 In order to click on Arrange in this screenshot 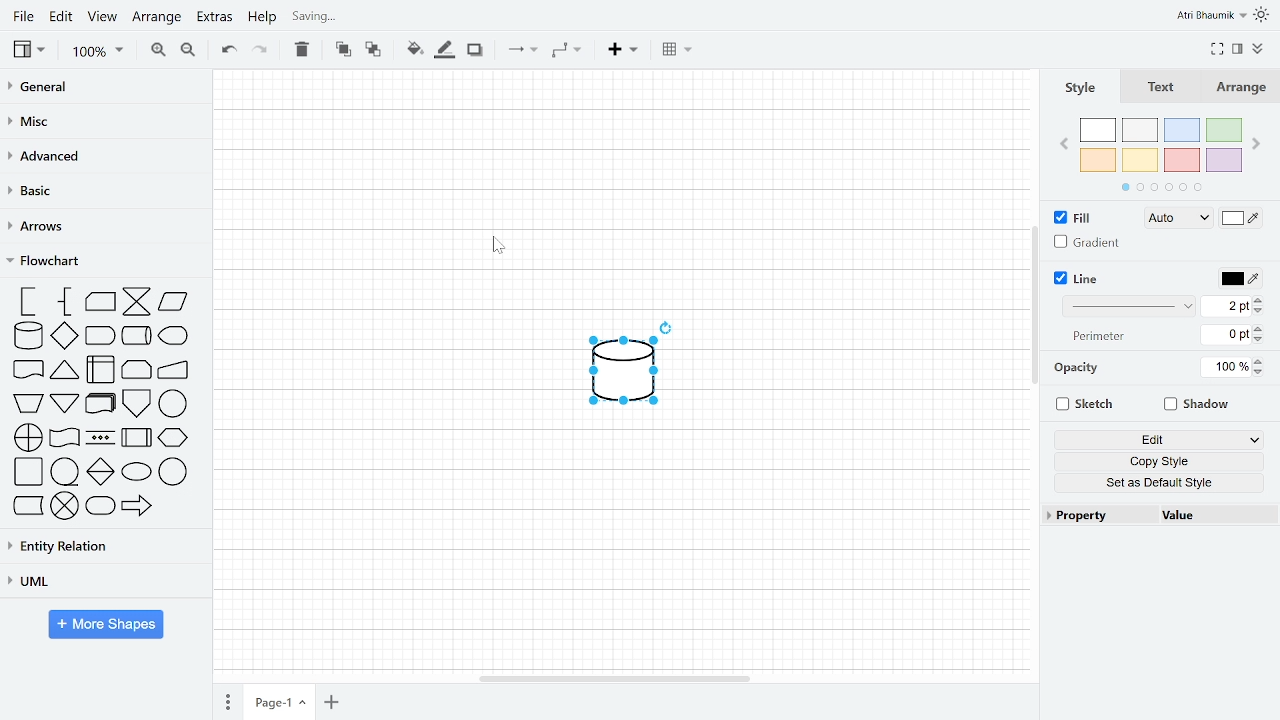, I will do `click(157, 19)`.